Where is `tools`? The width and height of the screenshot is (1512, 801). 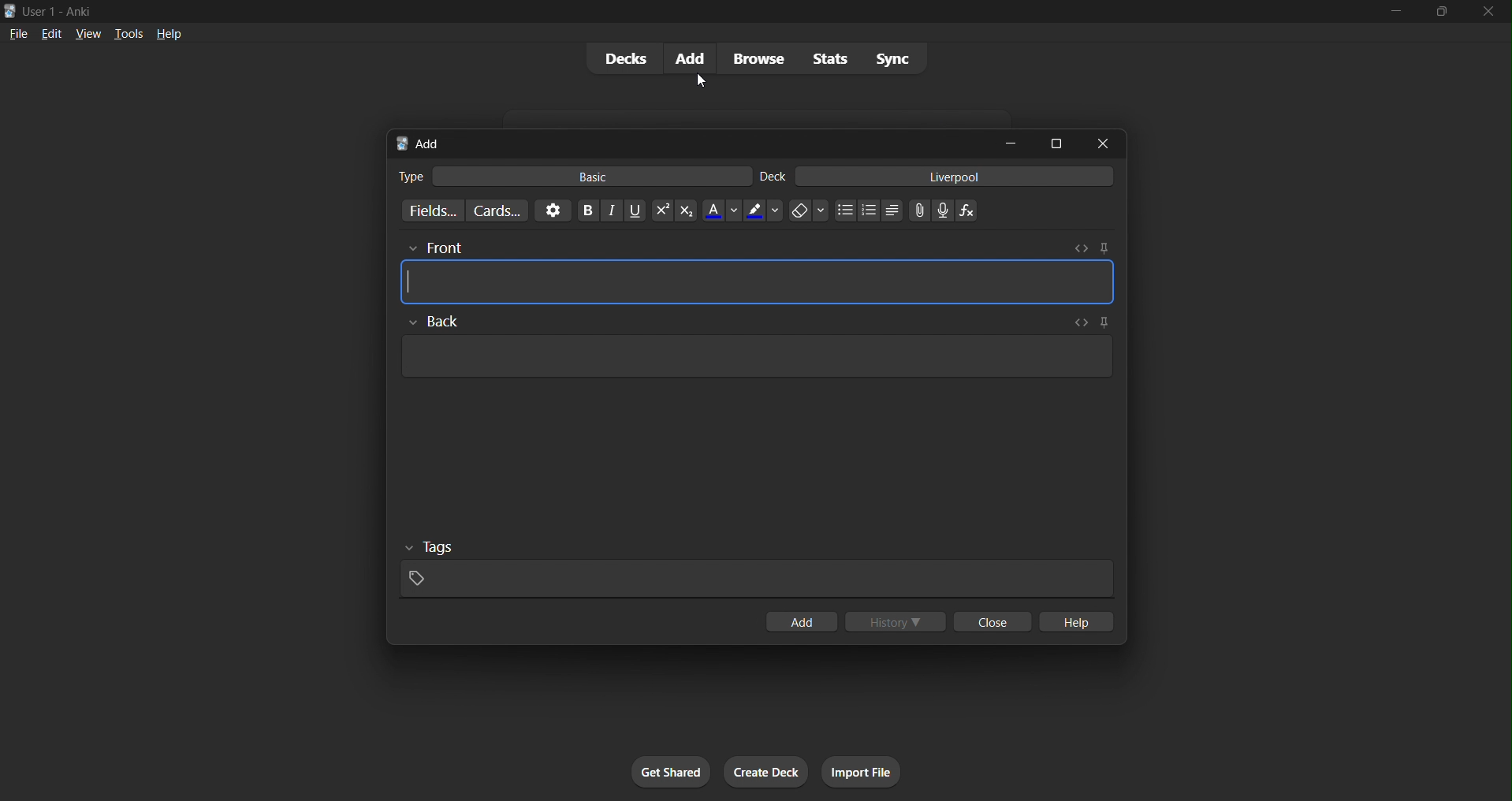
tools is located at coordinates (128, 32).